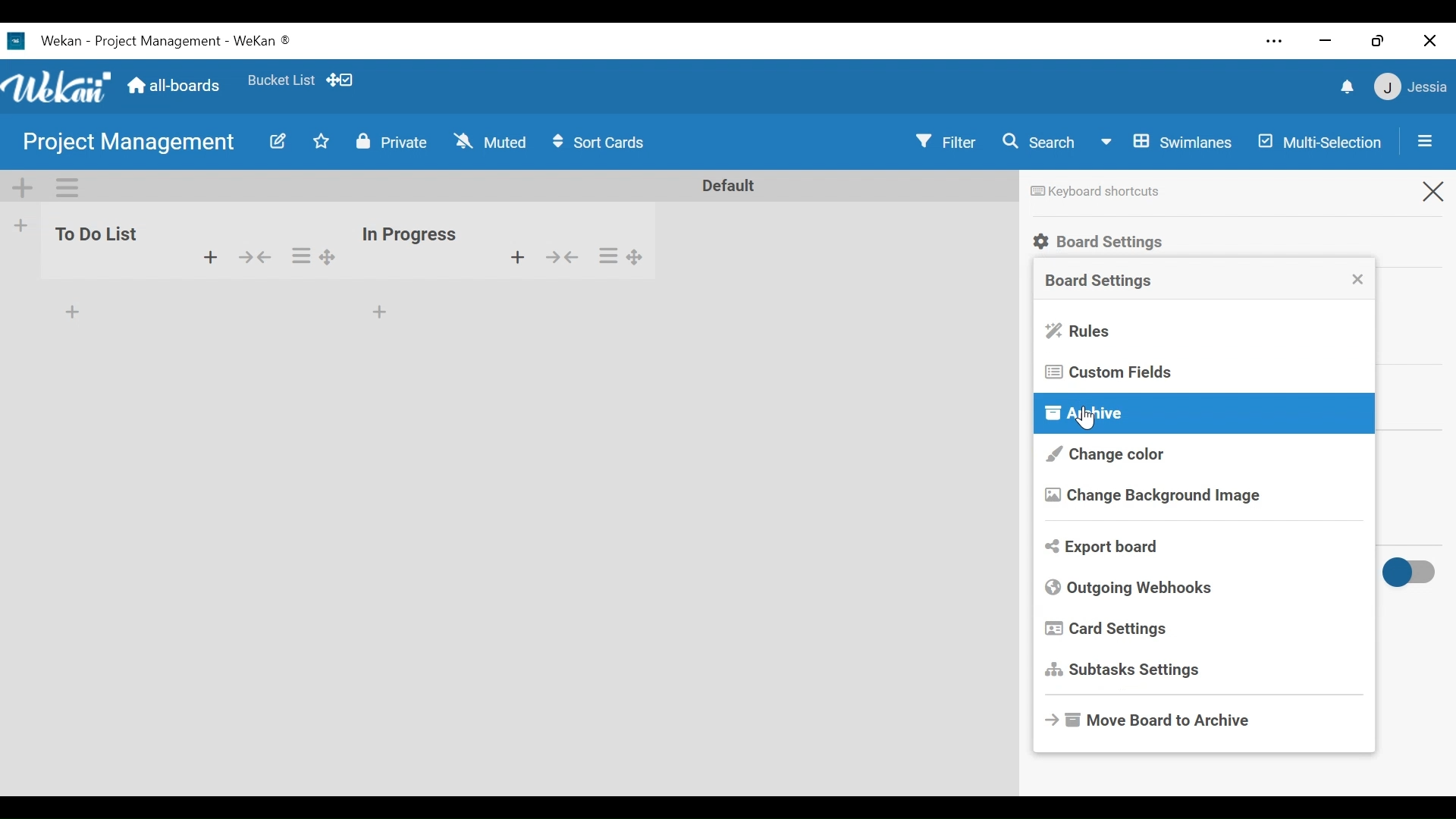 This screenshot has width=1456, height=819. What do you see at coordinates (724, 185) in the screenshot?
I see `Default` at bounding box center [724, 185].